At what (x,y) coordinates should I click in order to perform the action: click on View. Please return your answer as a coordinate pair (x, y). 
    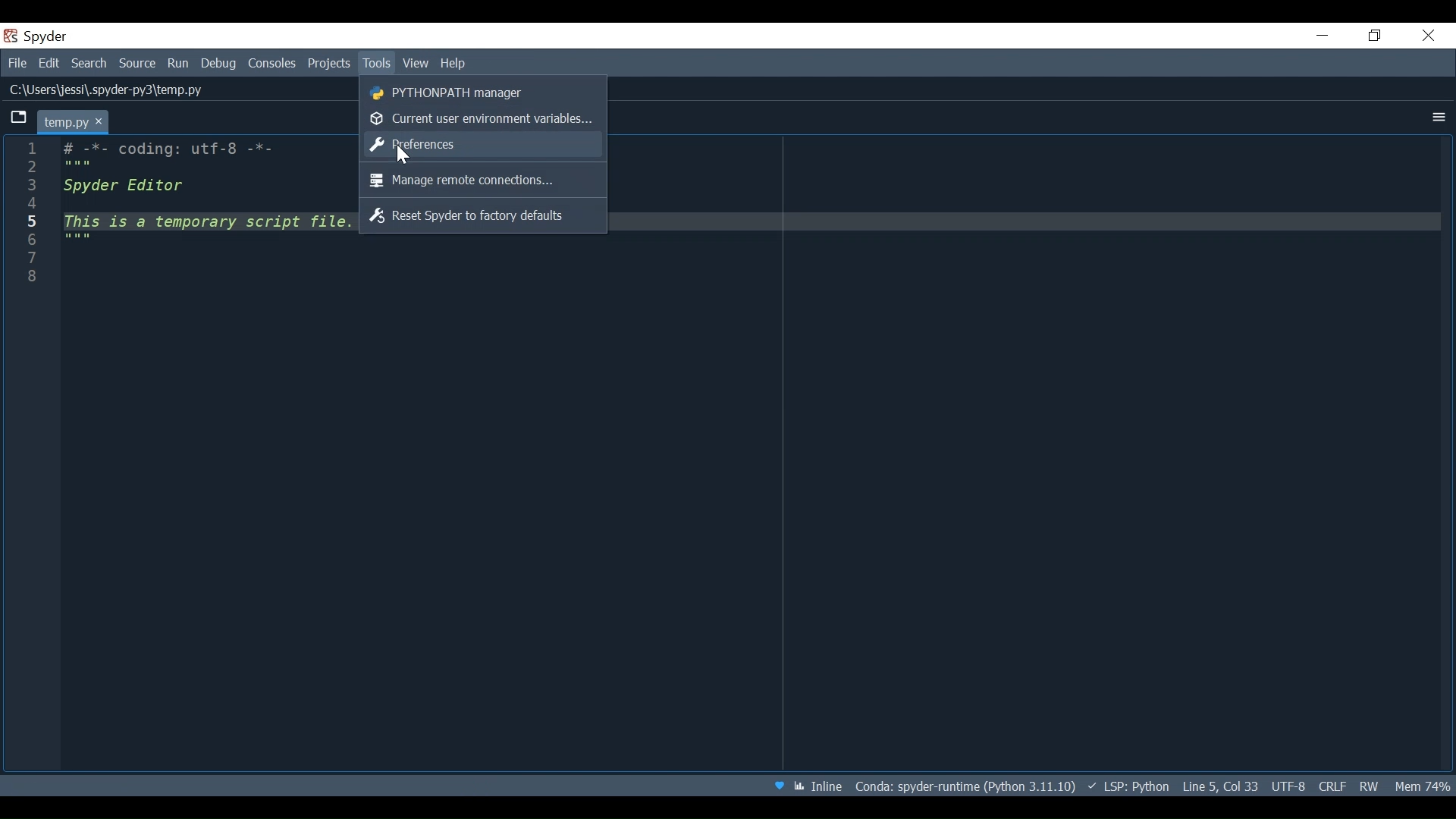
    Looking at the image, I should click on (416, 64).